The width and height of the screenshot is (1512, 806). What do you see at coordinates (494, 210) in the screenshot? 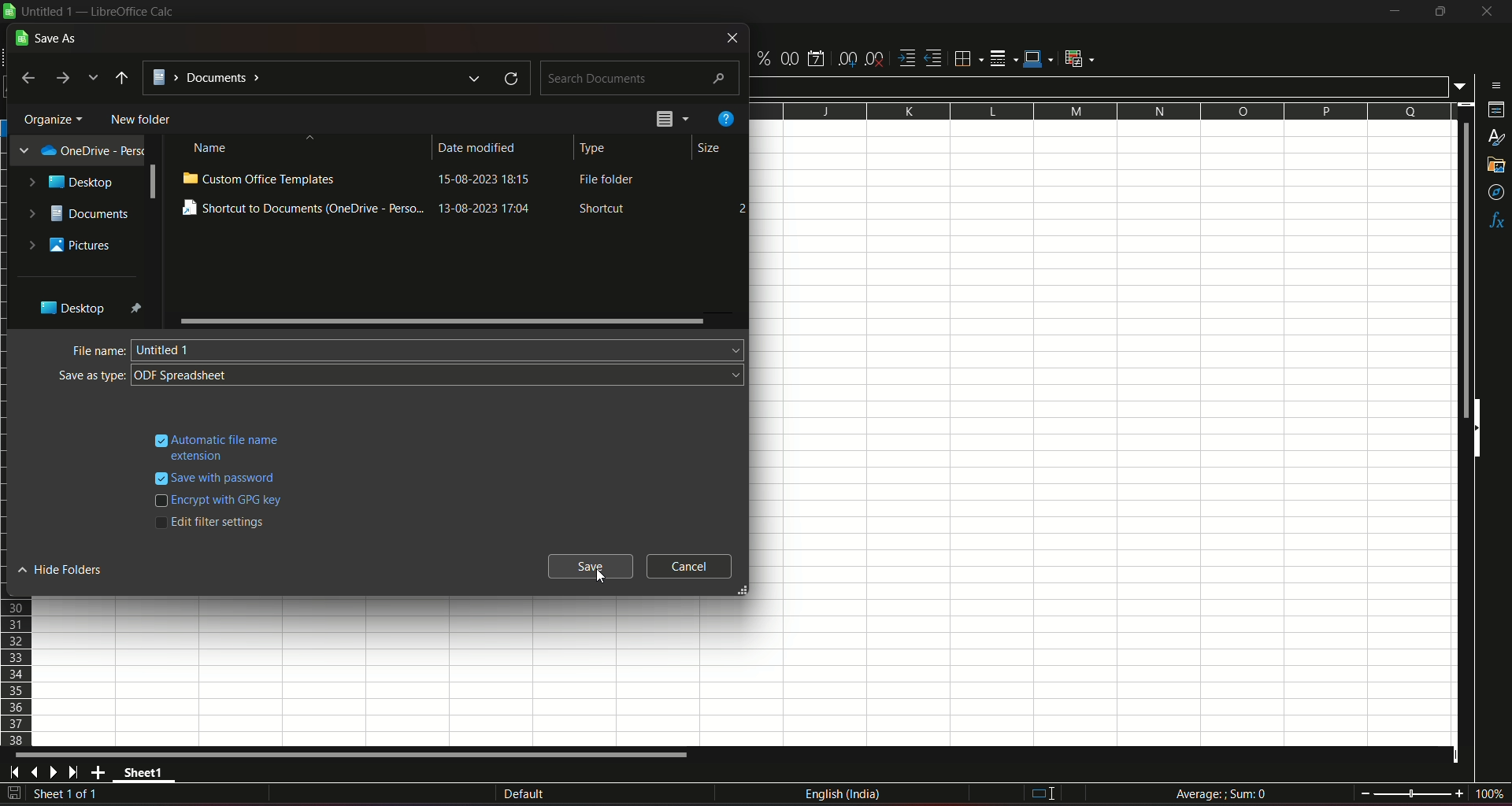
I see `13-08-2023 17:04` at bounding box center [494, 210].